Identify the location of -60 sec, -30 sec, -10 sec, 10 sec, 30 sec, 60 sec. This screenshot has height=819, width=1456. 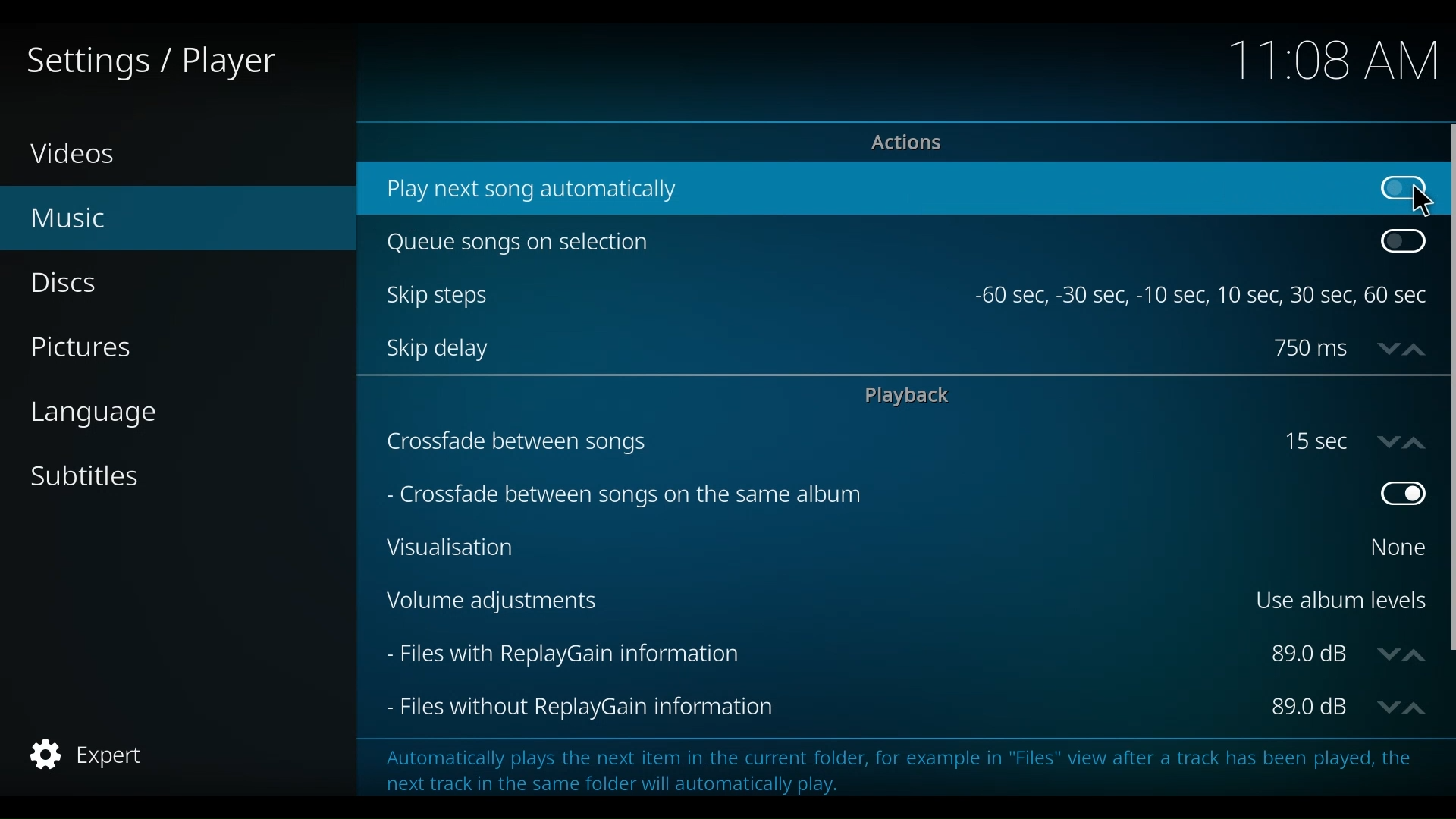
(1203, 297).